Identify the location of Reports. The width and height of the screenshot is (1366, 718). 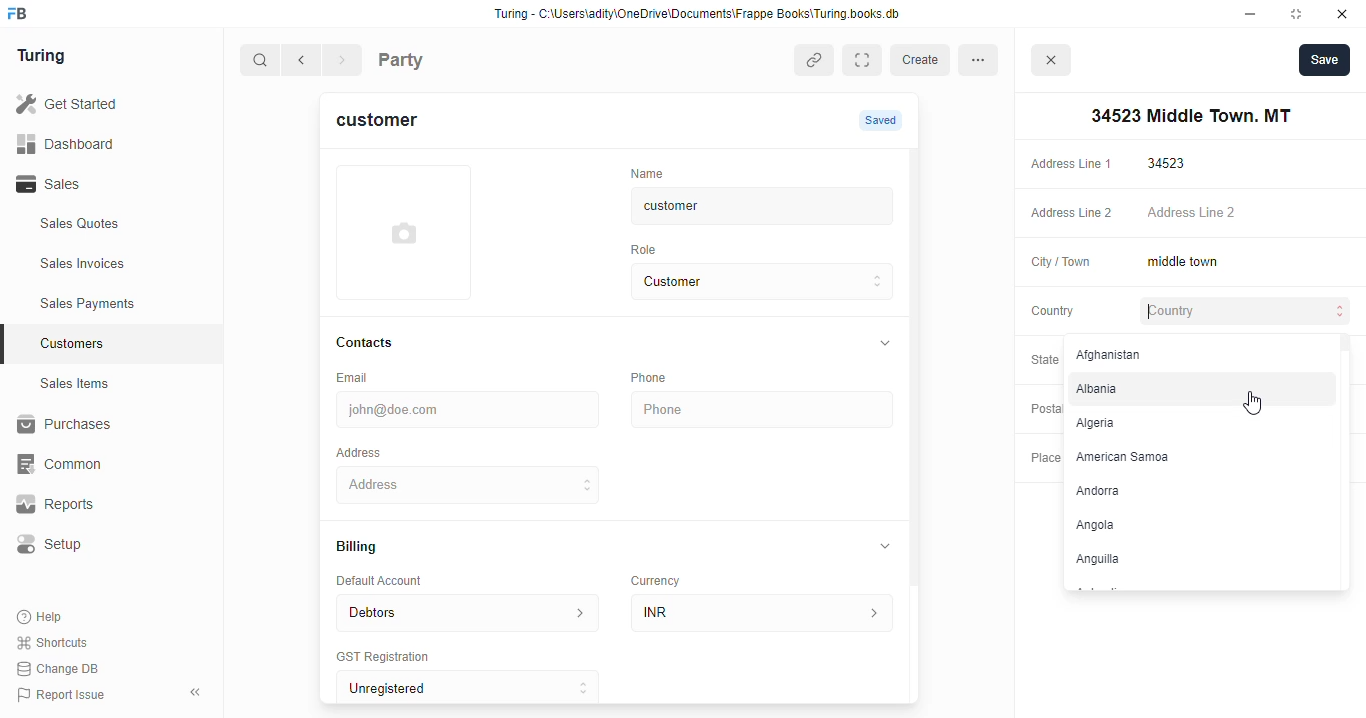
(91, 505).